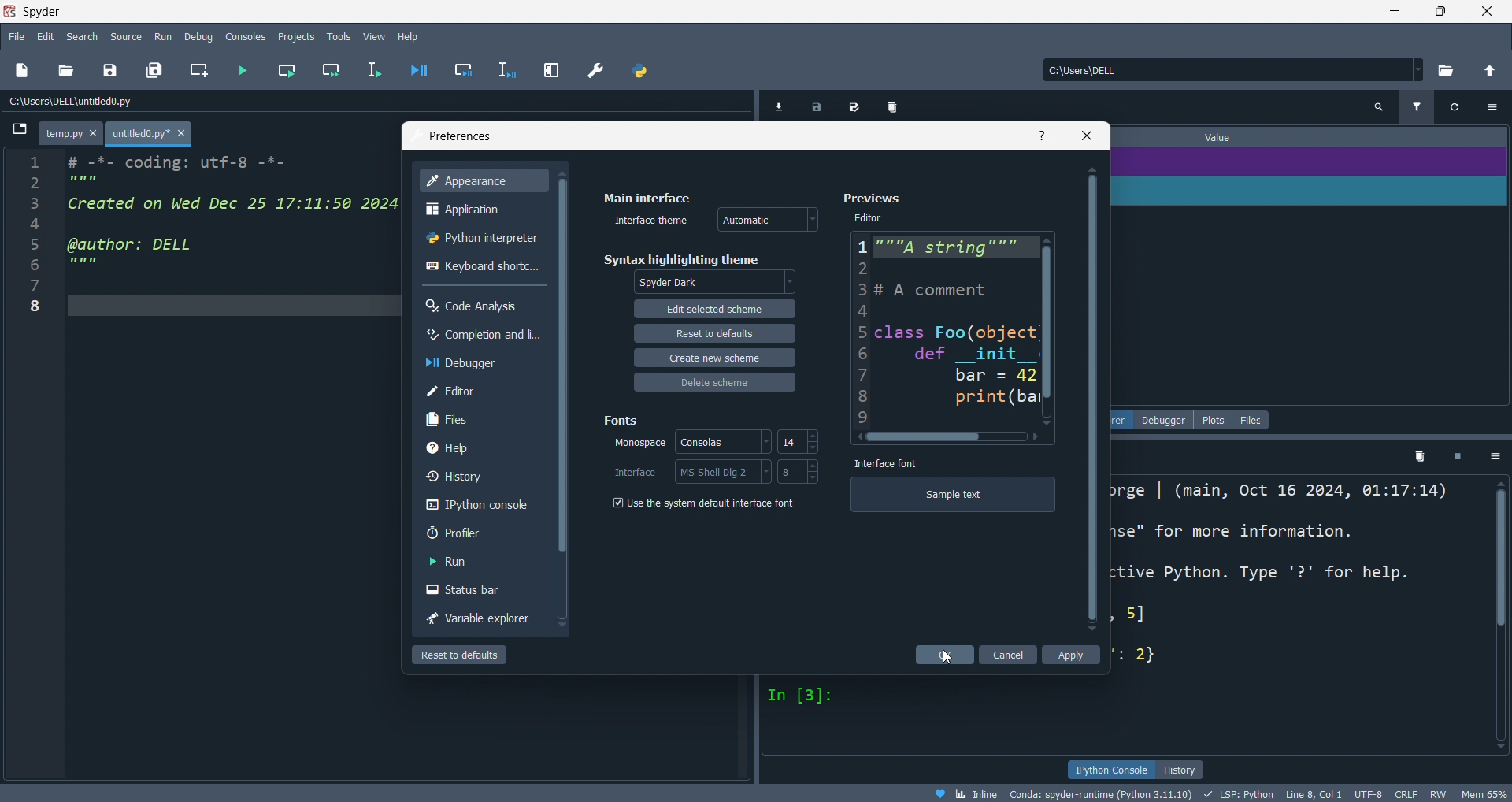 The image size is (1512, 802). What do you see at coordinates (165, 36) in the screenshot?
I see `run` at bounding box center [165, 36].